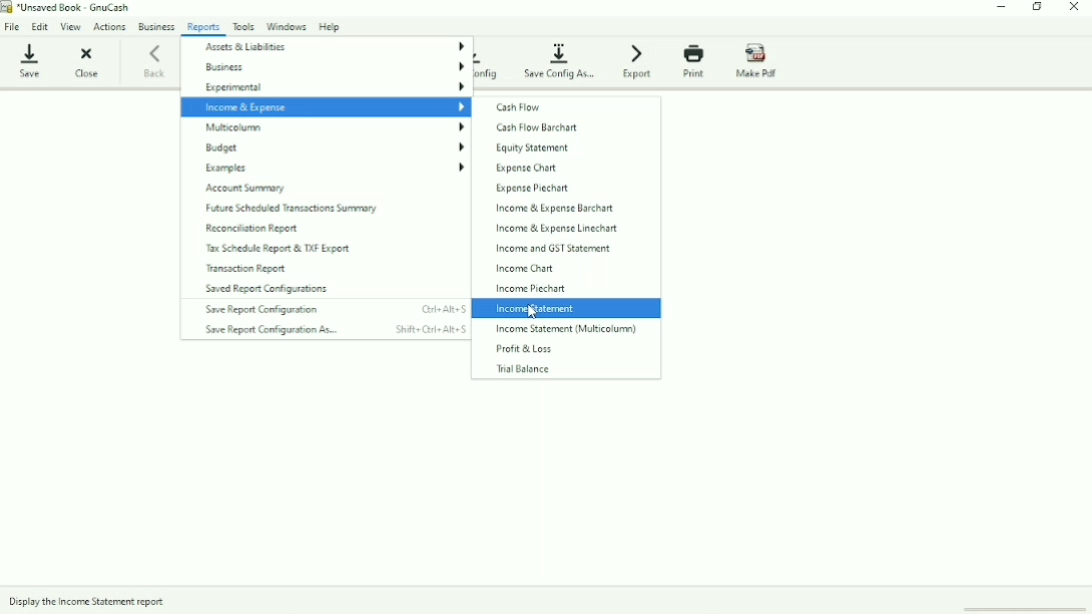 This screenshot has height=614, width=1092. I want to click on Tax Schedule Report & TXF Export, so click(277, 249).